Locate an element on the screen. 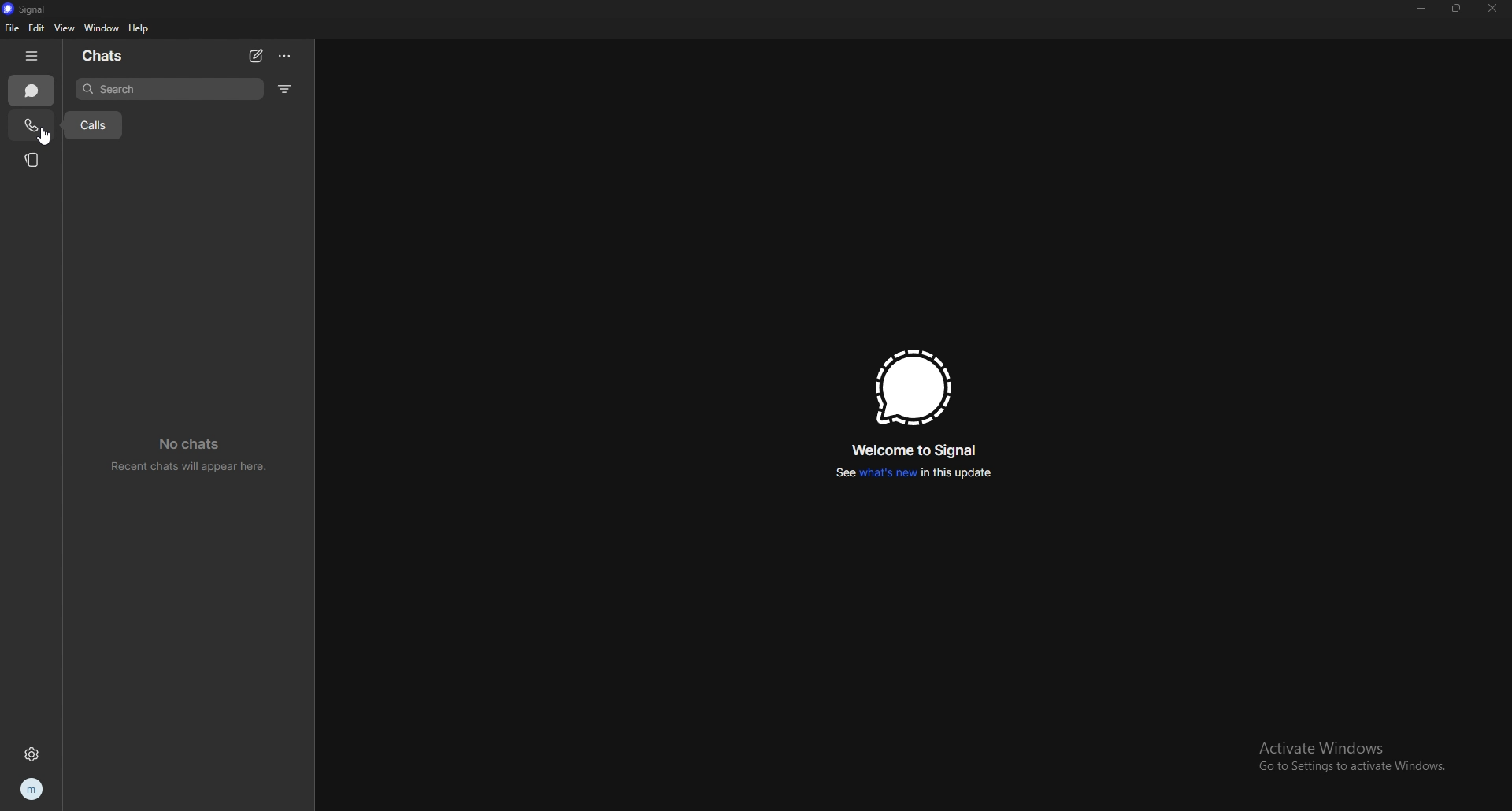  close is located at coordinates (1495, 8).